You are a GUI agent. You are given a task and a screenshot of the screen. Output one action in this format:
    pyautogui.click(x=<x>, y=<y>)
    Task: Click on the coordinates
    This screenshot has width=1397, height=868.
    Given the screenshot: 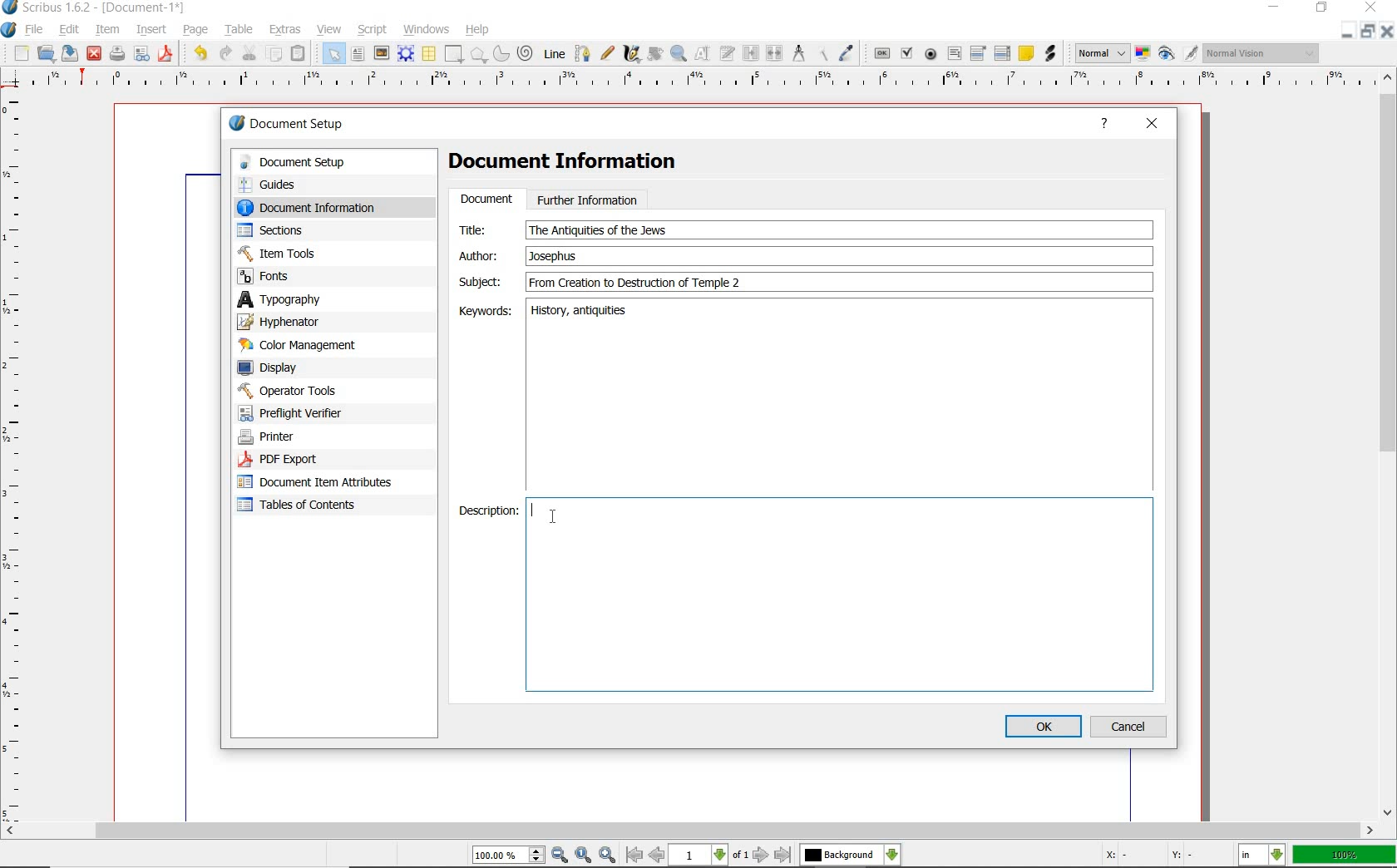 What is the action you would take?
    pyautogui.click(x=1147, y=856)
    